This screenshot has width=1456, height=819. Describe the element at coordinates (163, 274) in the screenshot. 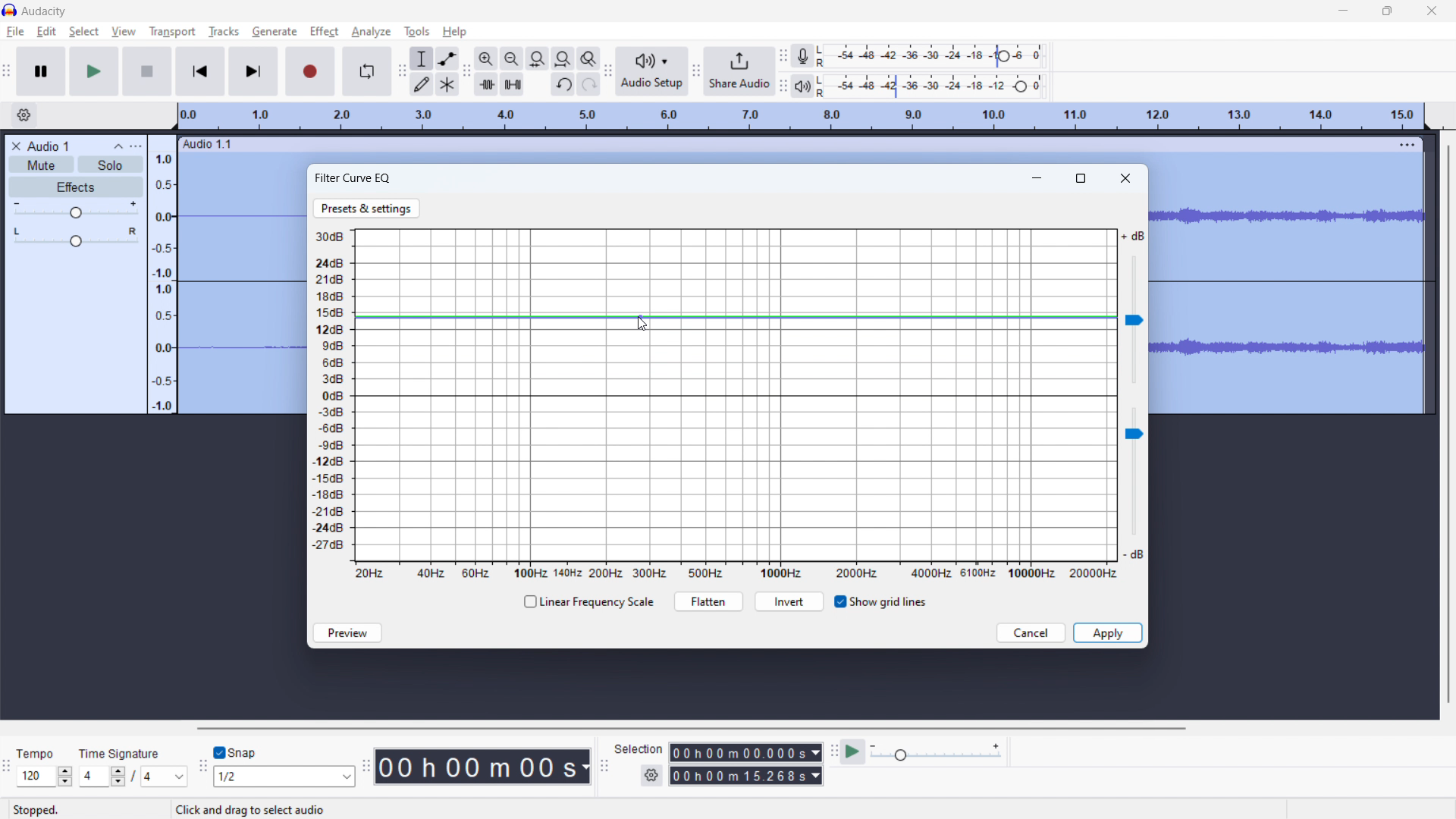

I see `amplitude` at that location.